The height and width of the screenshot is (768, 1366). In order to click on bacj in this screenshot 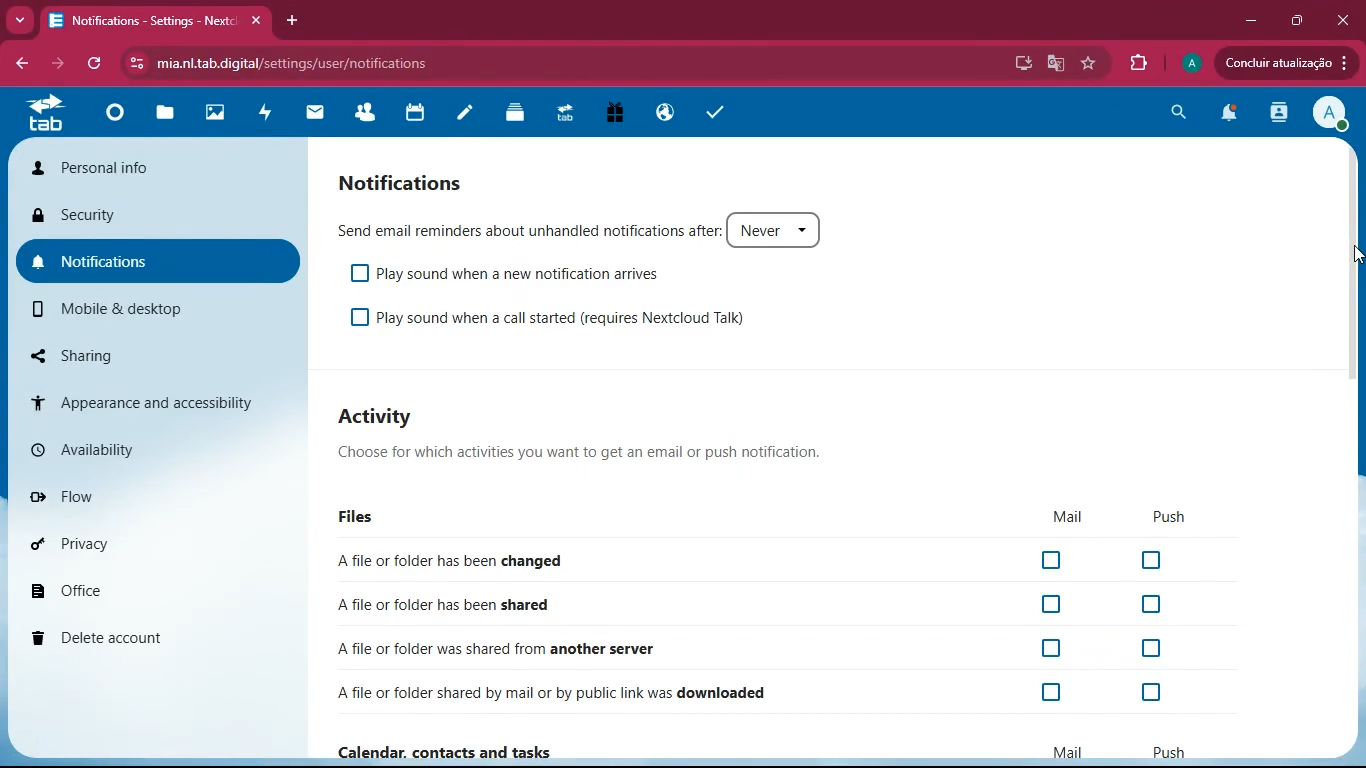, I will do `click(20, 66)`.